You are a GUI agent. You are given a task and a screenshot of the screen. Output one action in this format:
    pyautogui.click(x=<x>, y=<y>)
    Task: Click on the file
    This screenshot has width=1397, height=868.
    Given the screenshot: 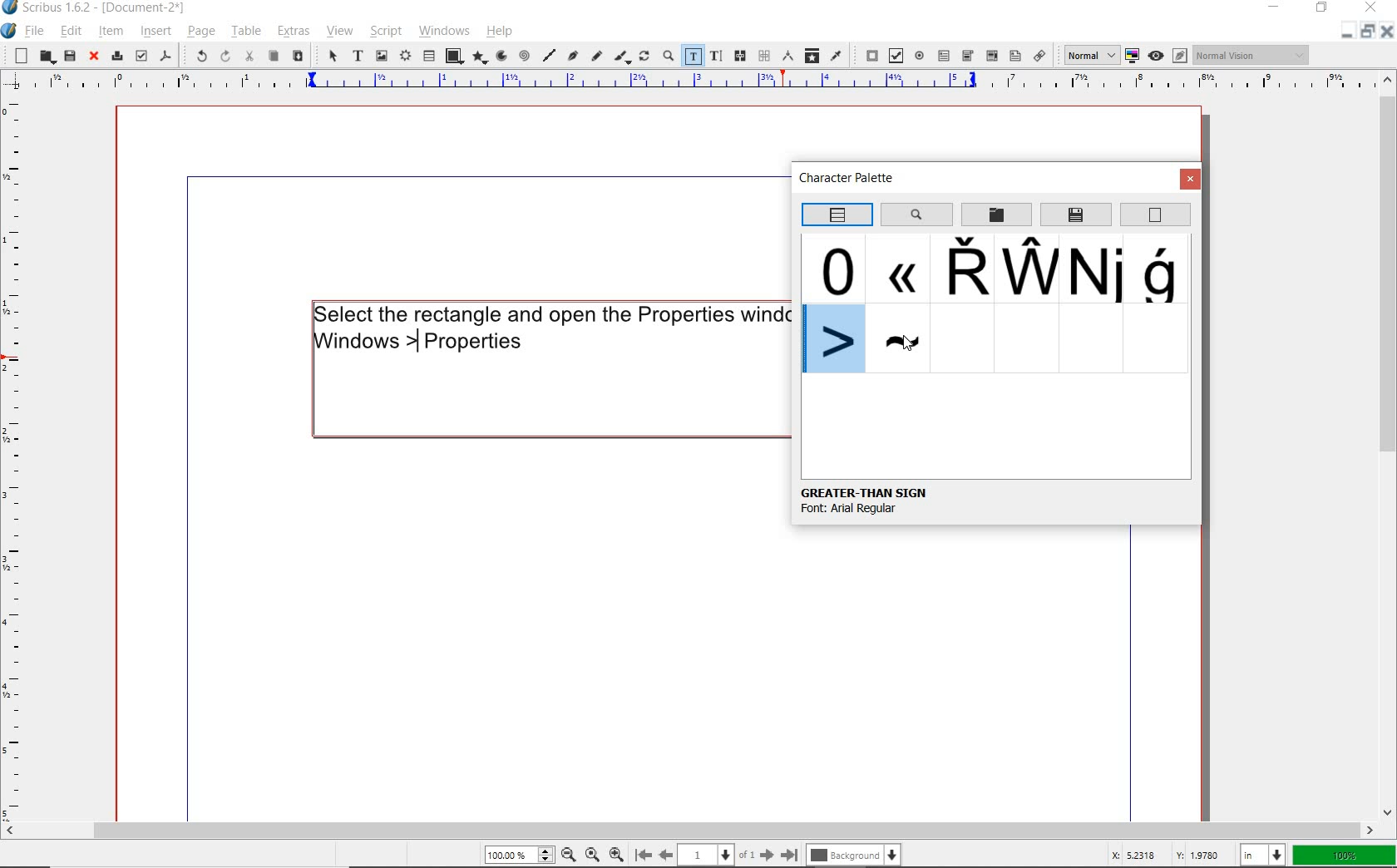 What is the action you would take?
    pyautogui.click(x=37, y=31)
    